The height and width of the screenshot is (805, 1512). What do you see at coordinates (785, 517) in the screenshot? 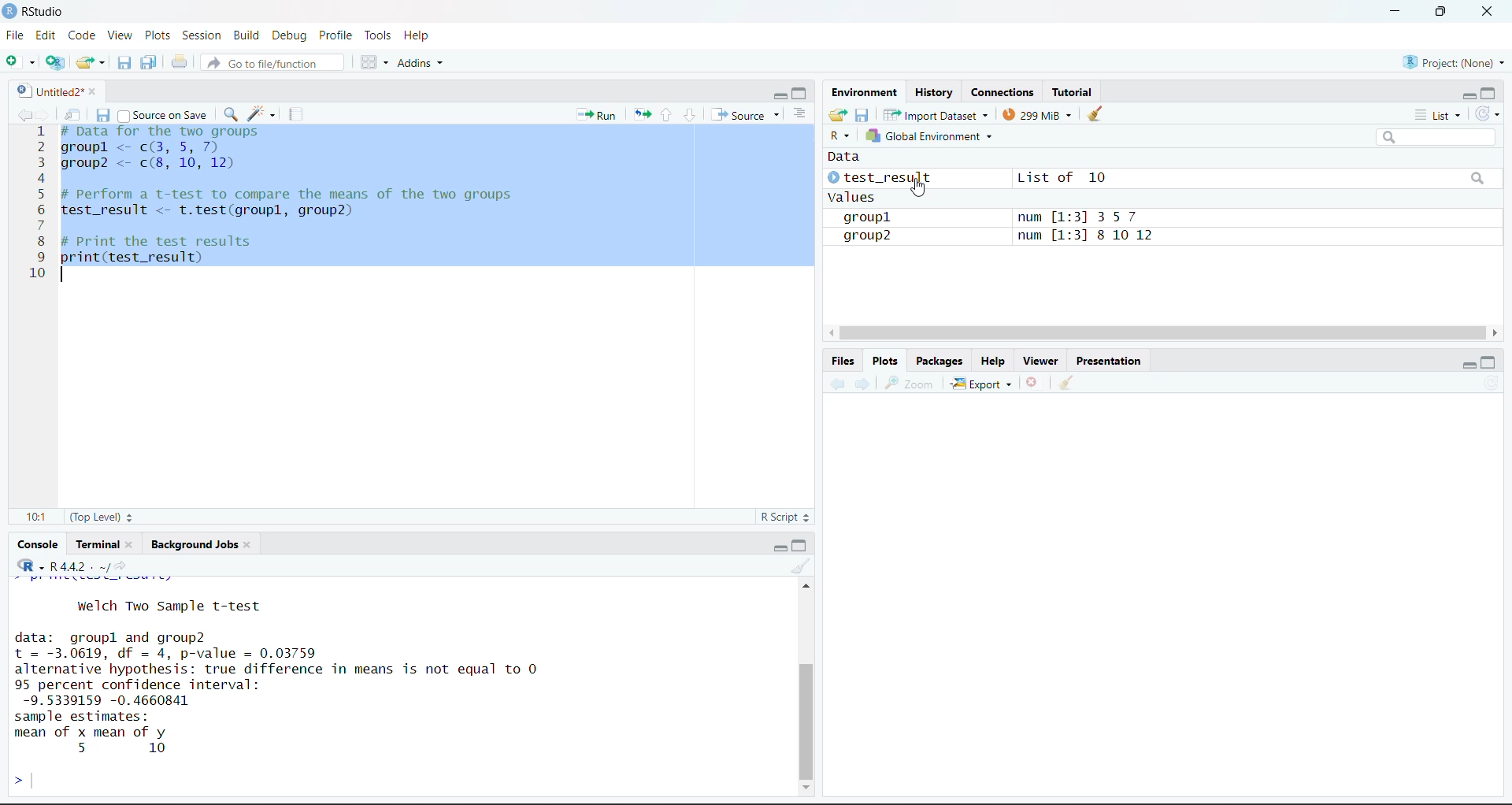
I see `R script` at bounding box center [785, 517].